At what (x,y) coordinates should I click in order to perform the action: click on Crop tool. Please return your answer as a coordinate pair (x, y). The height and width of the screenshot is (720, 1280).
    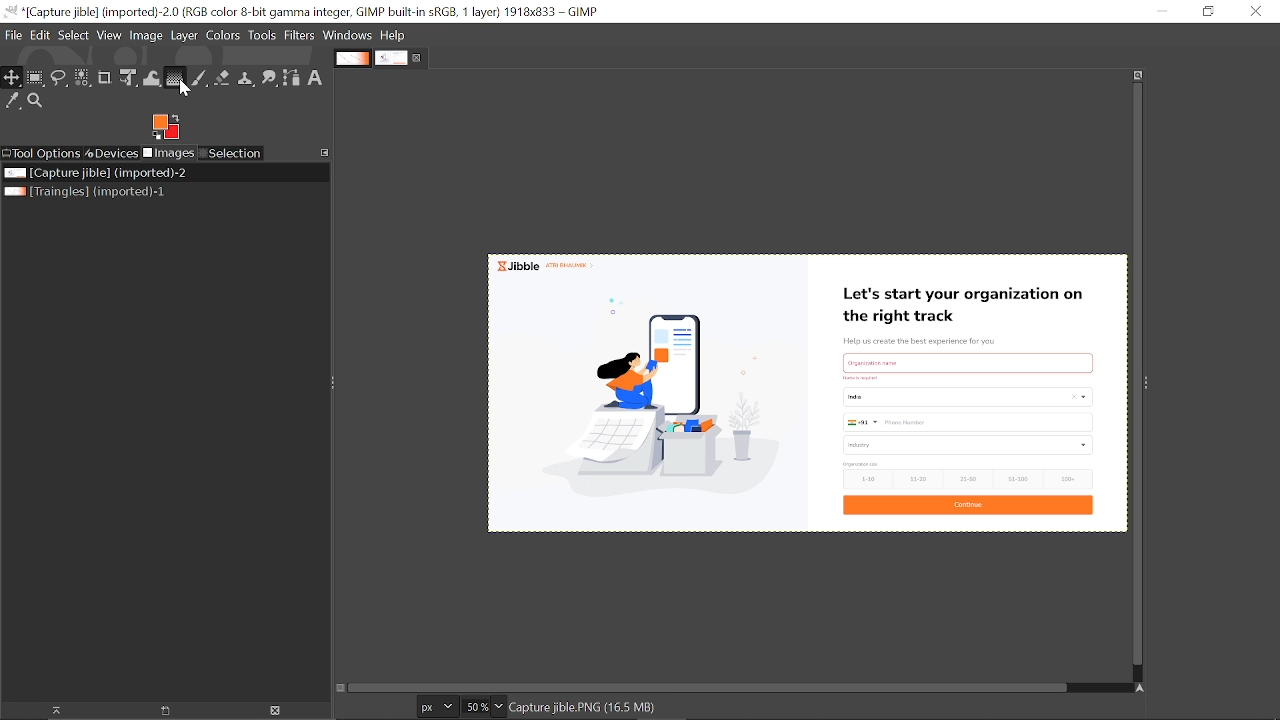
    Looking at the image, I should click on (106, 77).